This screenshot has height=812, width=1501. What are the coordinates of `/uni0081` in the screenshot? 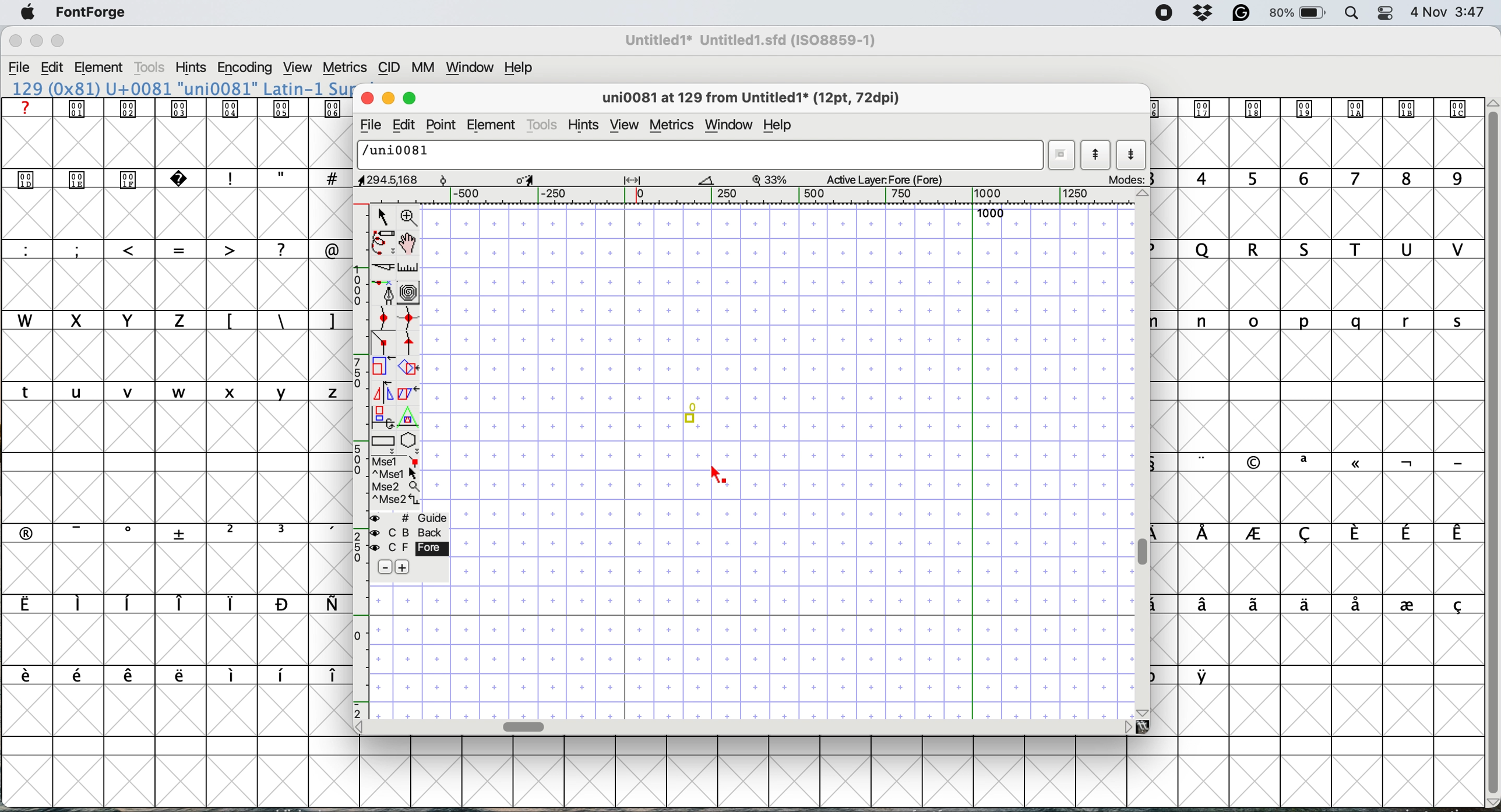 It's located at (701, 156).